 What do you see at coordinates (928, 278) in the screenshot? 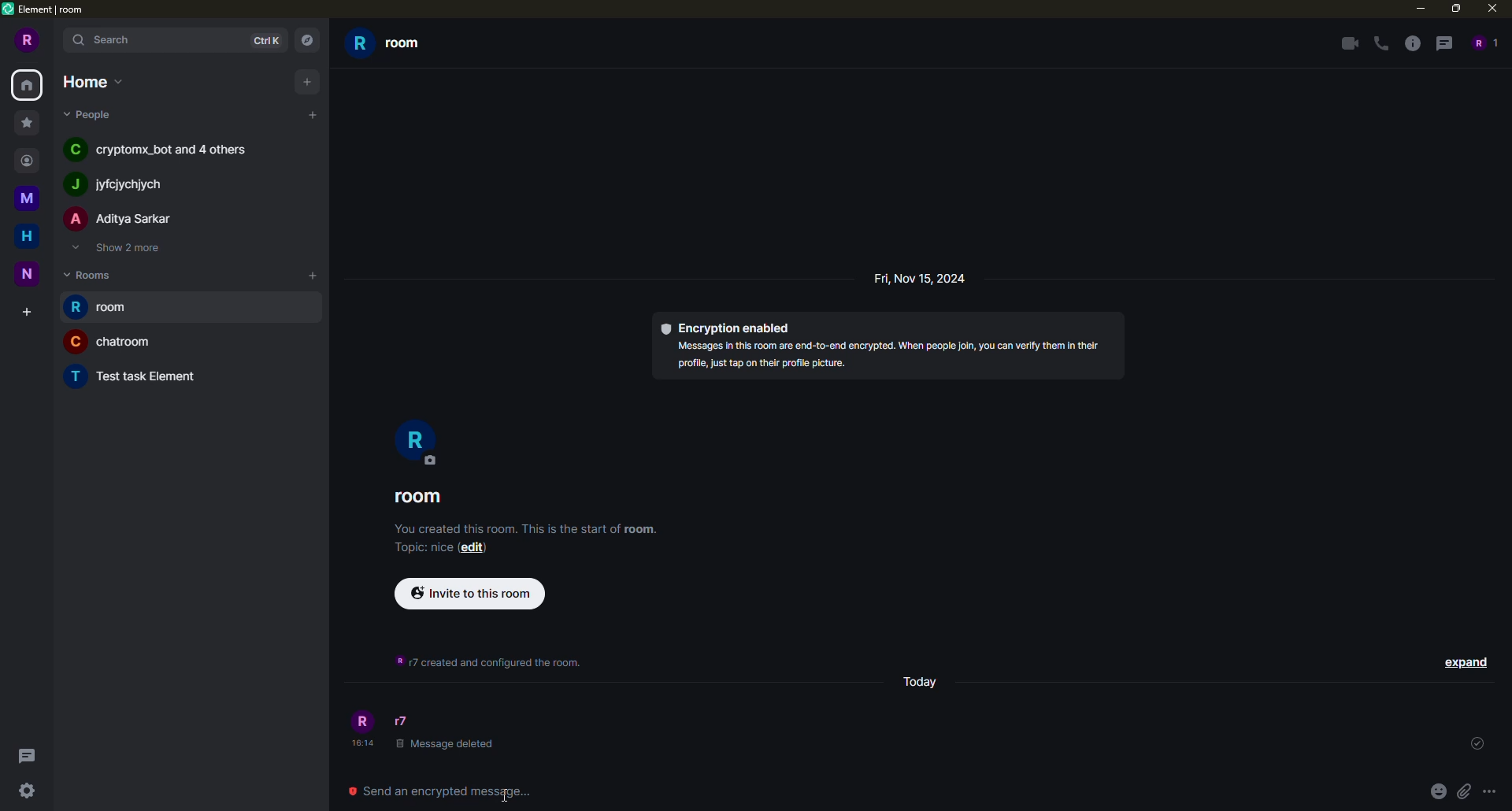
I see `day` at bounding box center [928, 278].